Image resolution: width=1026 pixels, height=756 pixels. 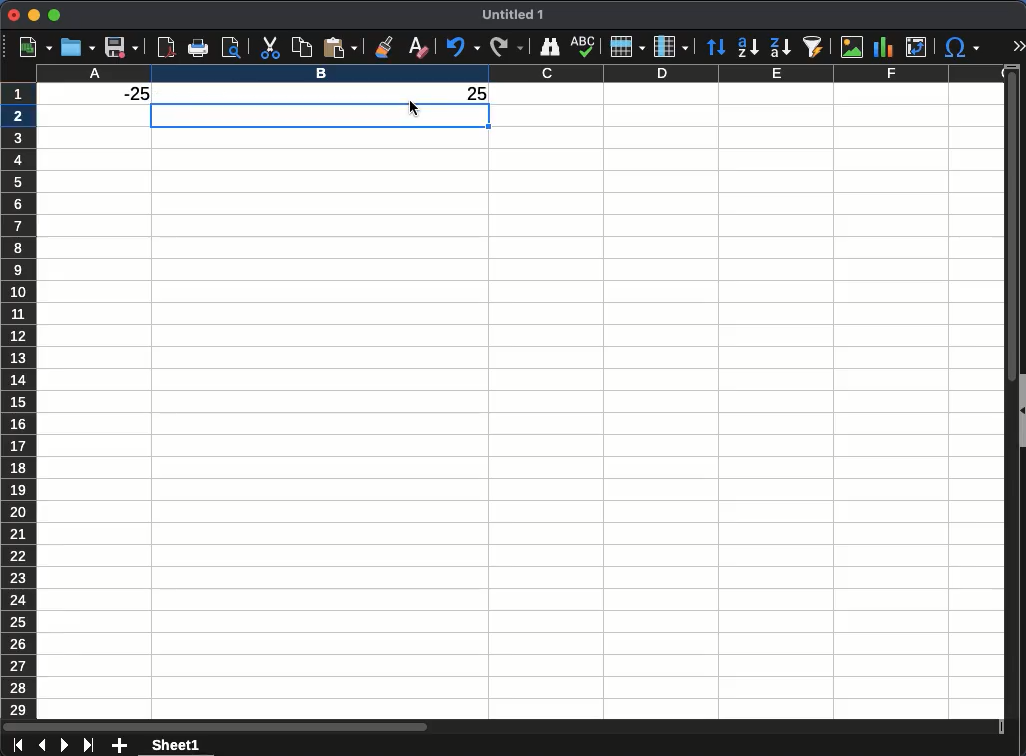 I want to click on add sheet, so click(x=120, y=744).